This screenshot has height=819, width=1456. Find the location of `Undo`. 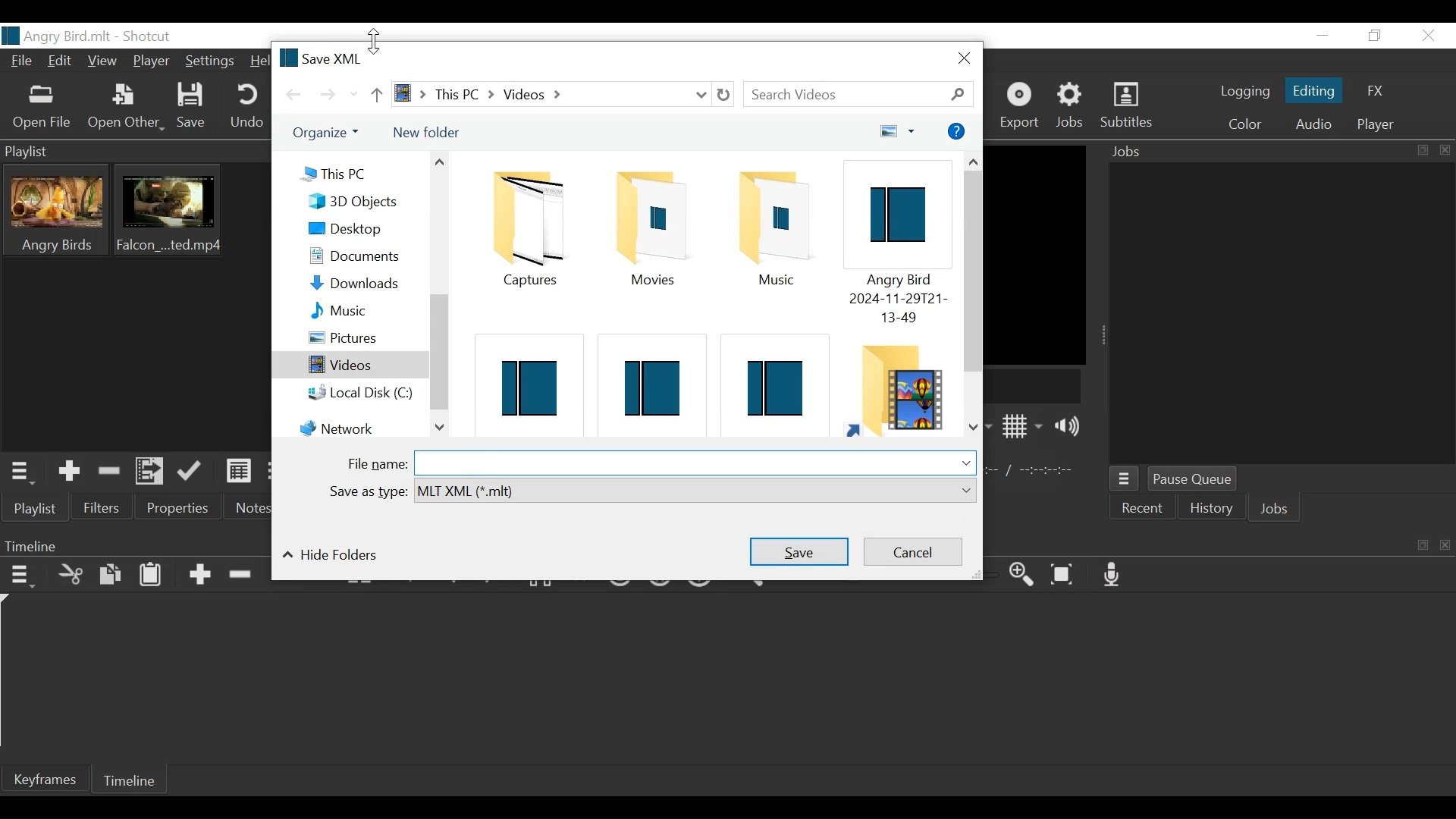

Undo is located at coordinates (245, 106).